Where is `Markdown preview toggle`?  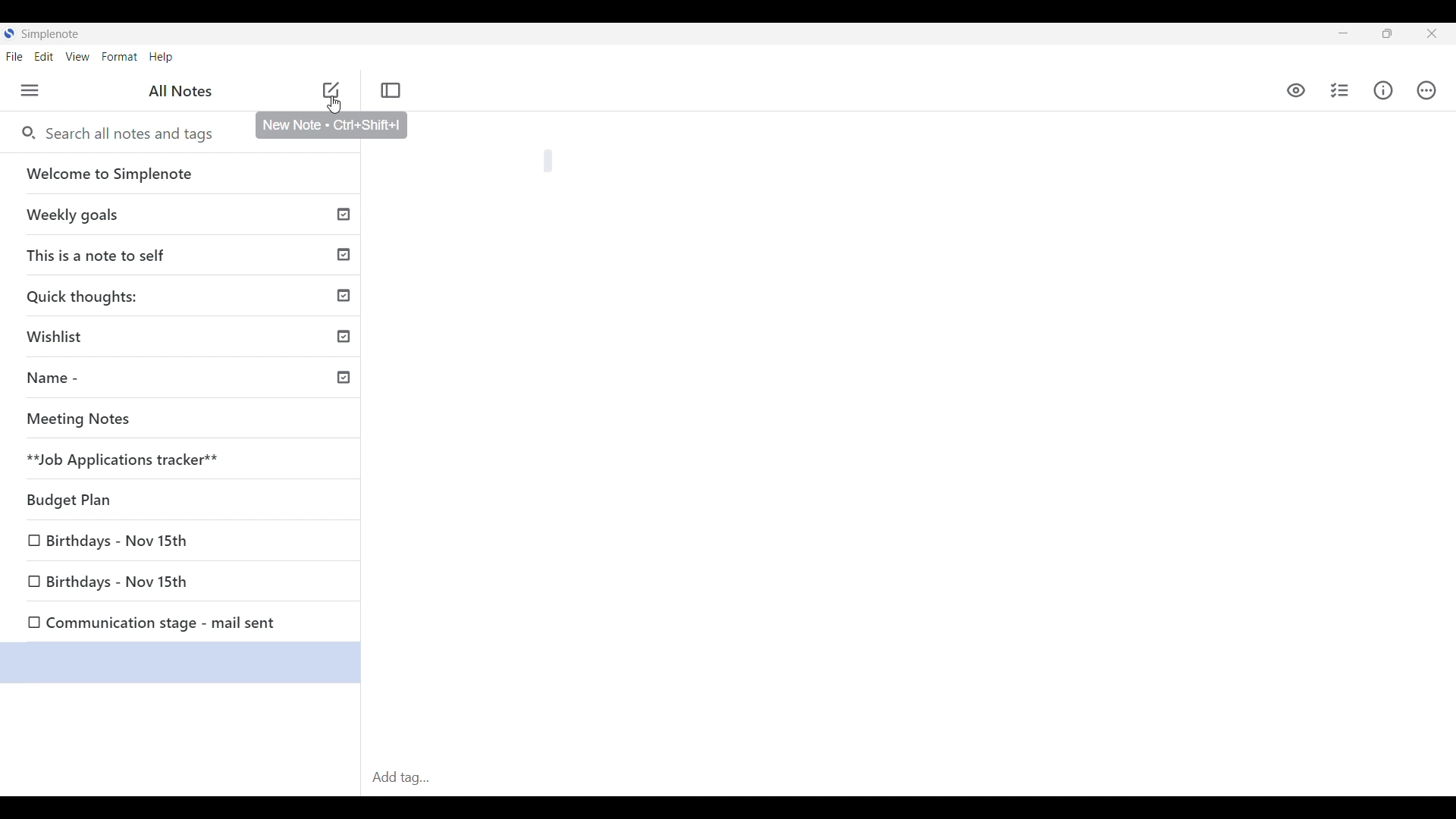
Markdown preview toggle is located at coordinates (1295, 91).